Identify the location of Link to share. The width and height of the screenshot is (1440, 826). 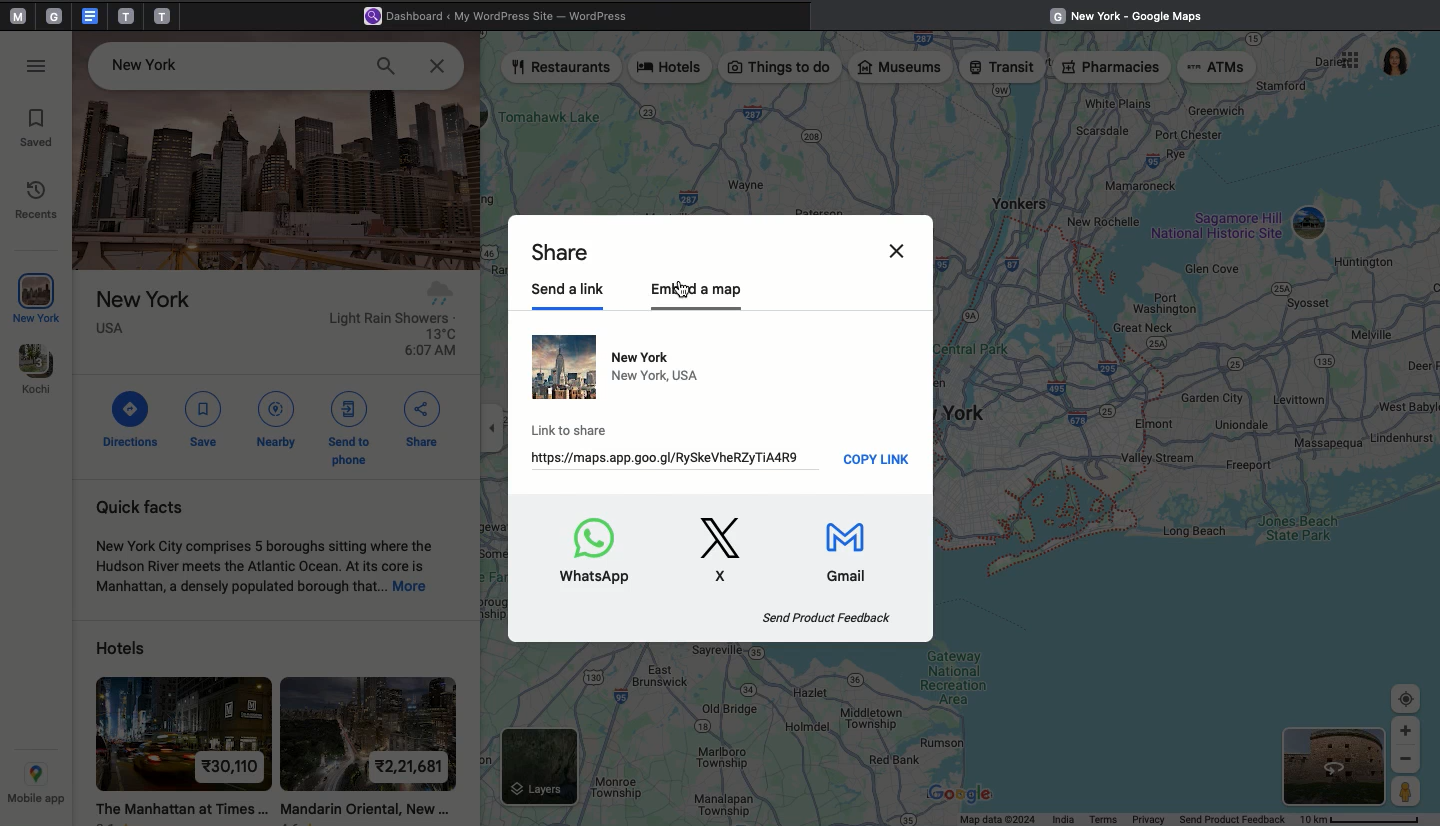
(666, 444).